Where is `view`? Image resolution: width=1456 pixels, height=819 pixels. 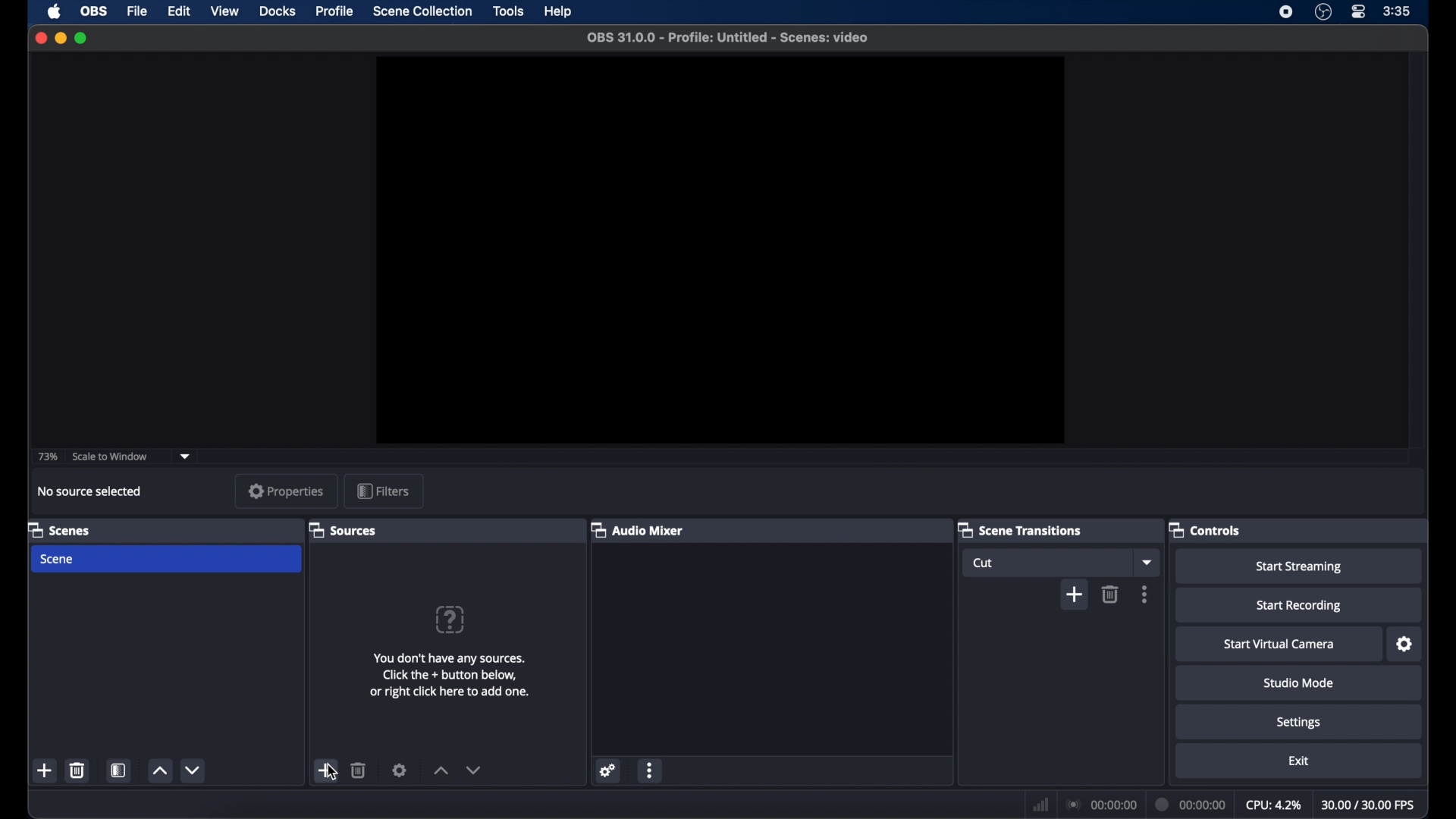 view is located at coordinates (226, 12).